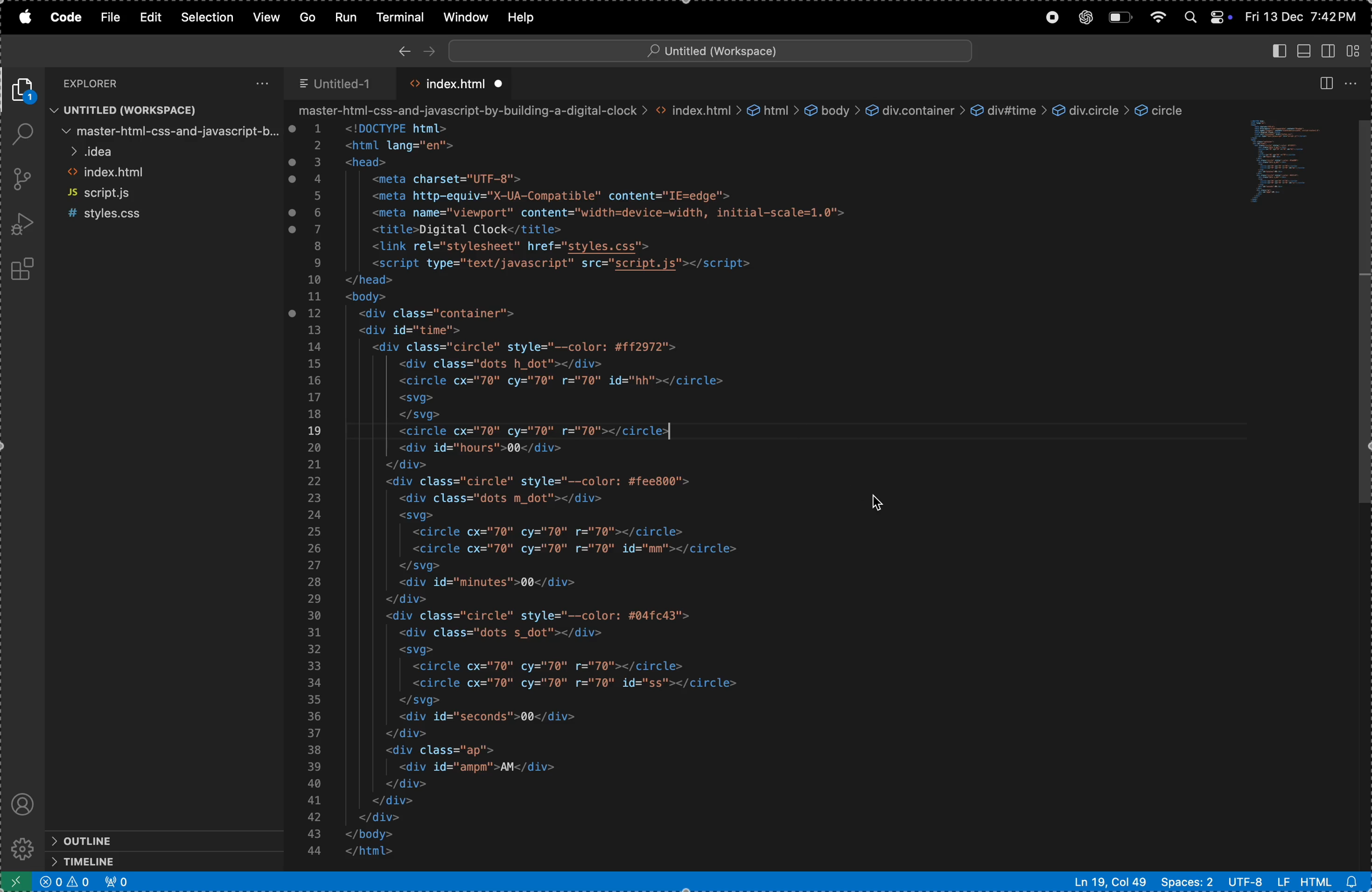 The width and height of the screenshot is (1372, 892). What do you see at coordinates (1185, 881) in the screenshot?
I see `spaces 2` at bounding box center [1185, 881].